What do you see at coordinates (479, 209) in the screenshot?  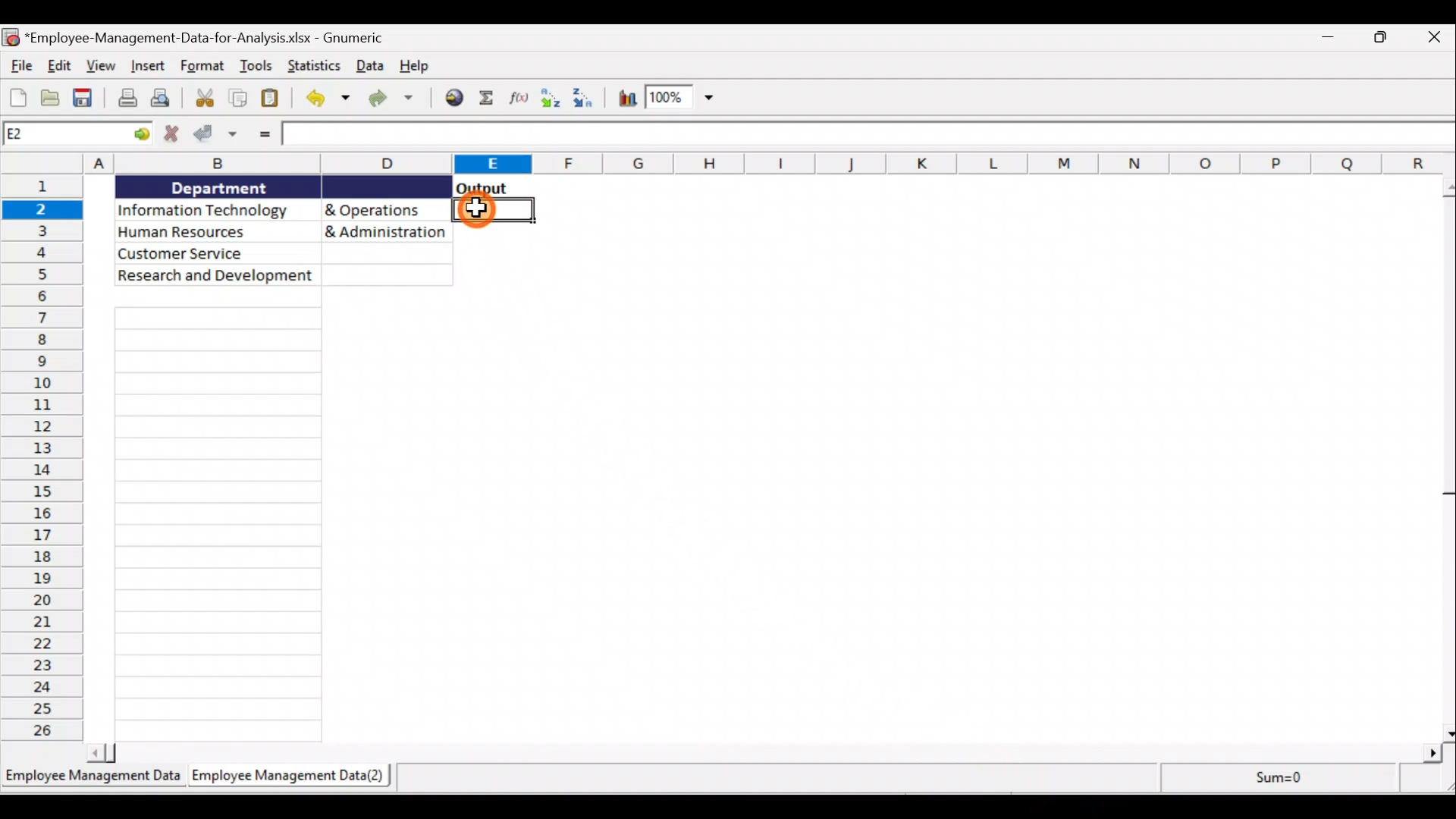 I see `Cursor` at bounding box center [479, 209].